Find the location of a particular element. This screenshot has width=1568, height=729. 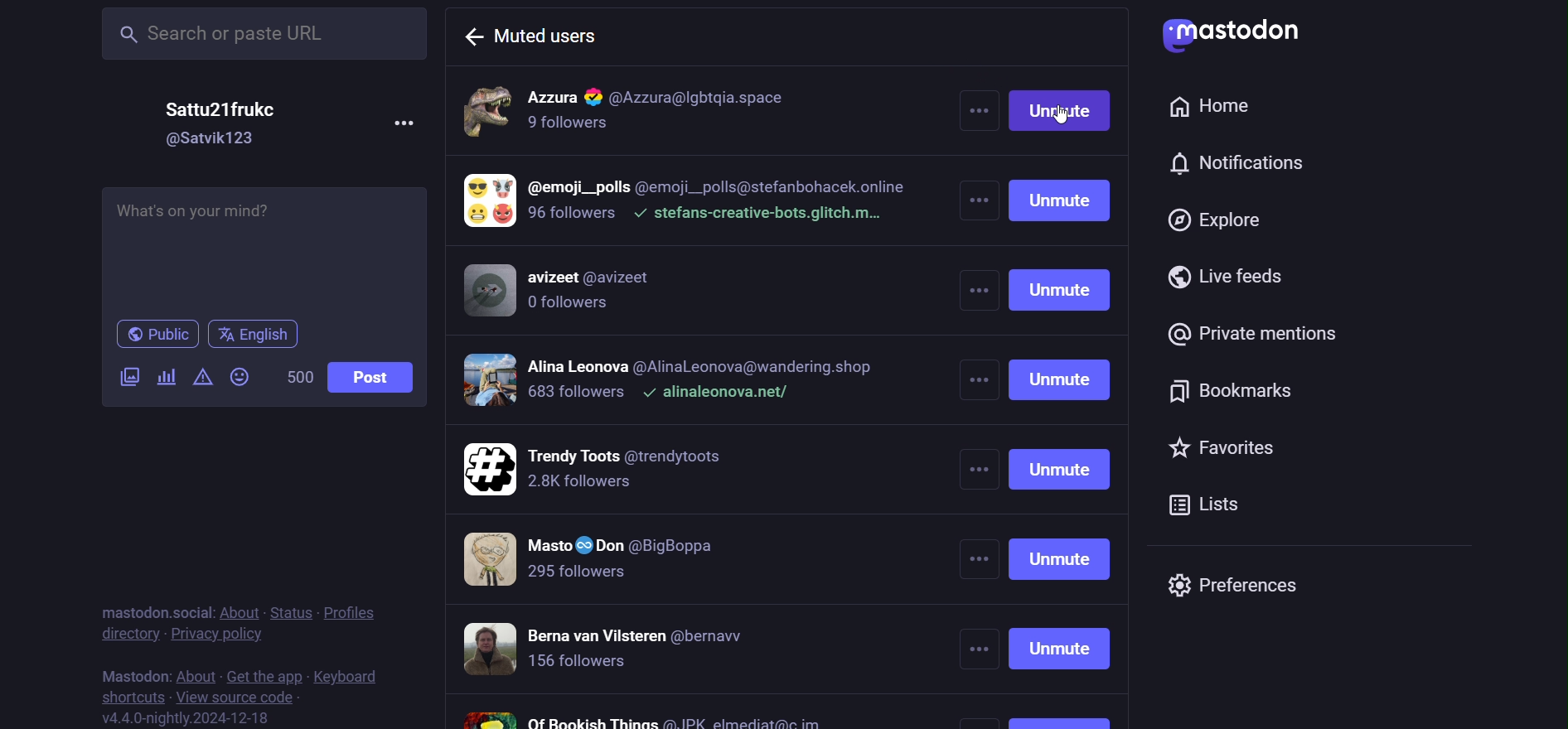

list is located at coordinates (1225, 503).